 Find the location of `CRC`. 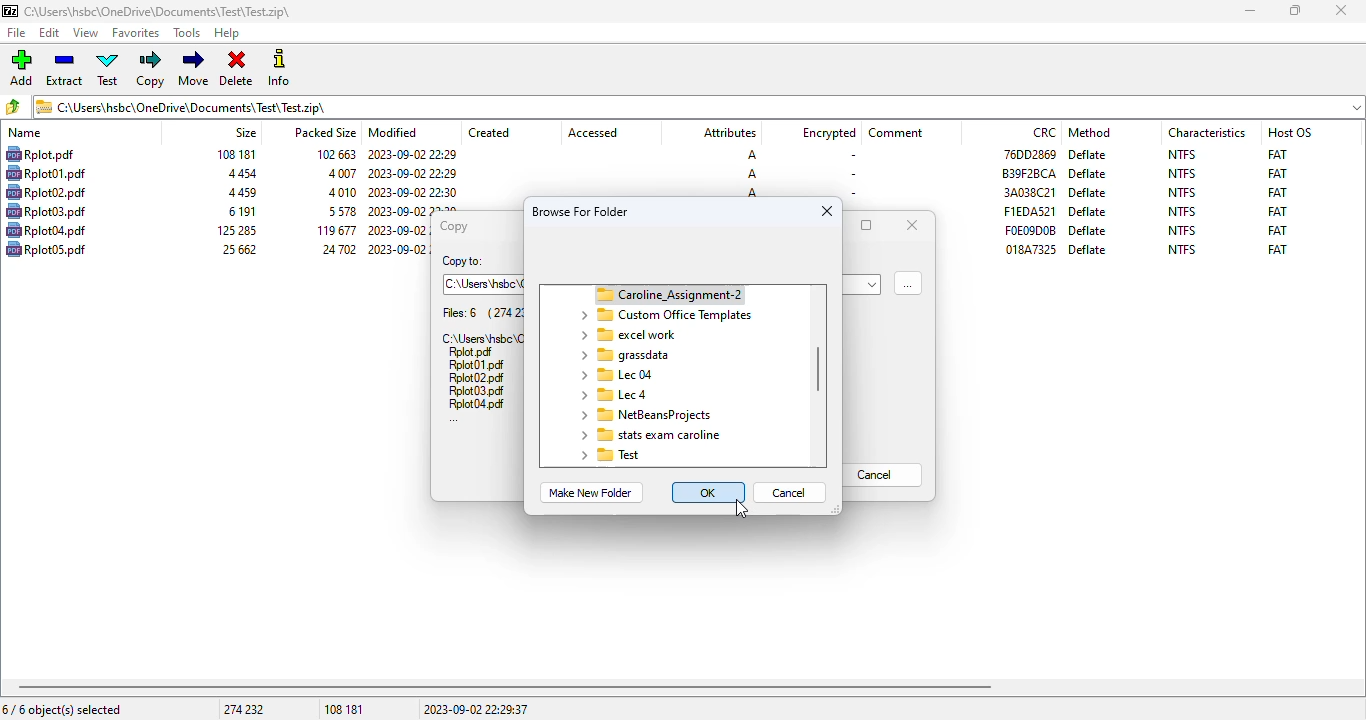

CRC is located at coordinates (1030, 230).